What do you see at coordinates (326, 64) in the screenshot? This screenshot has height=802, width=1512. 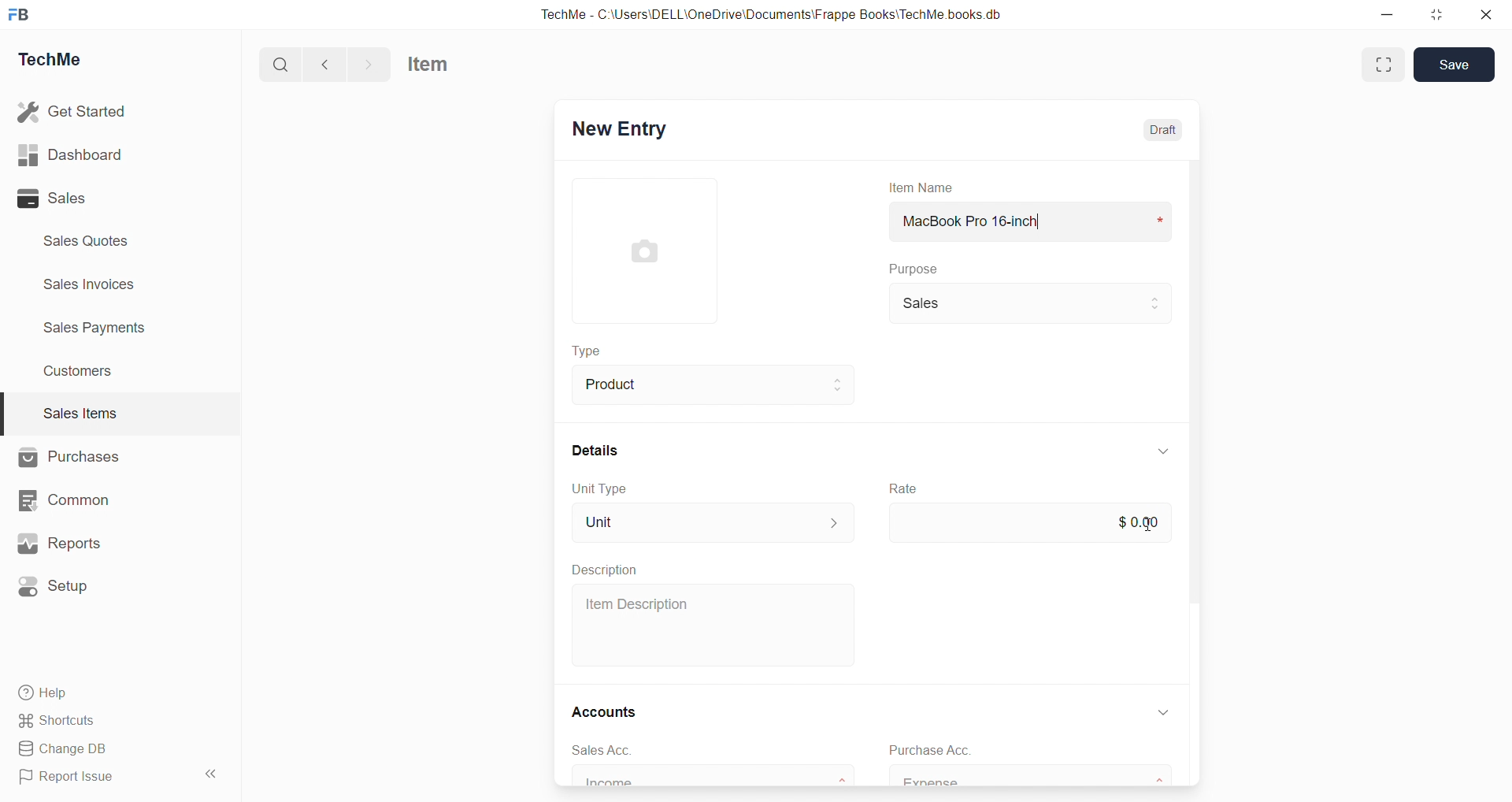 I see `back` at bounding box center [326, 64].